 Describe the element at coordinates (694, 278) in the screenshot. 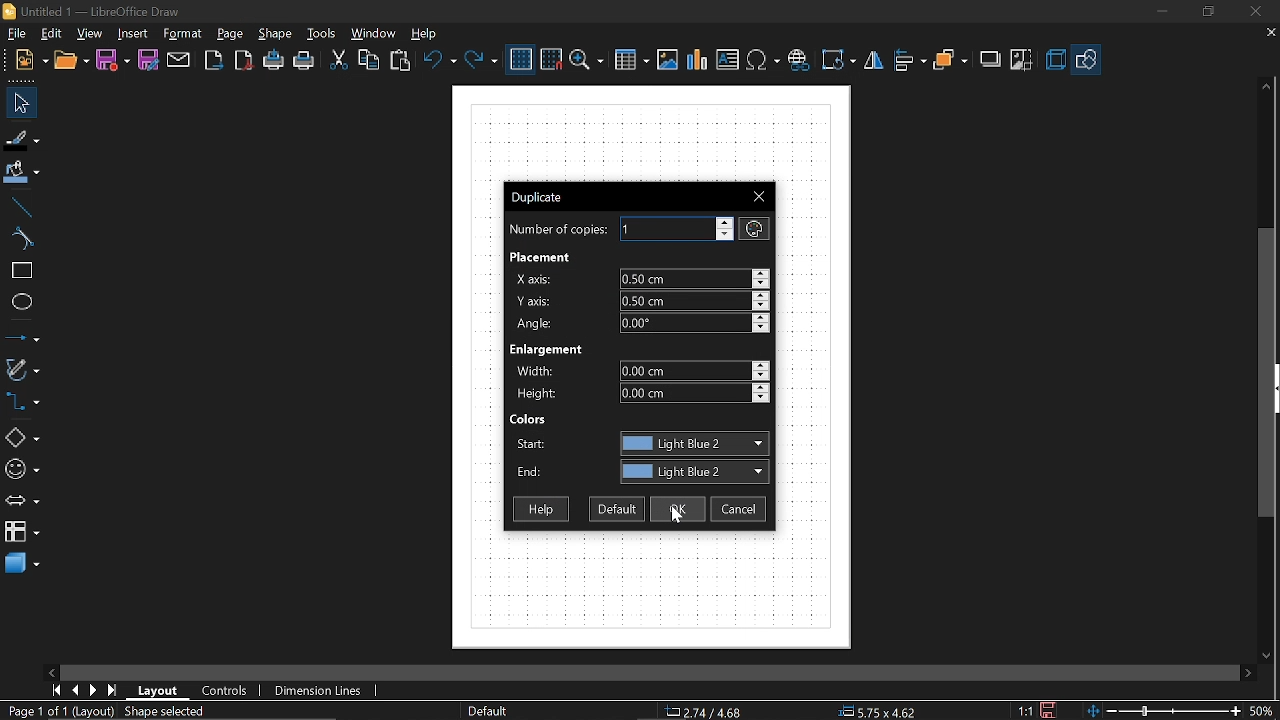

I see `X axis` at that location.